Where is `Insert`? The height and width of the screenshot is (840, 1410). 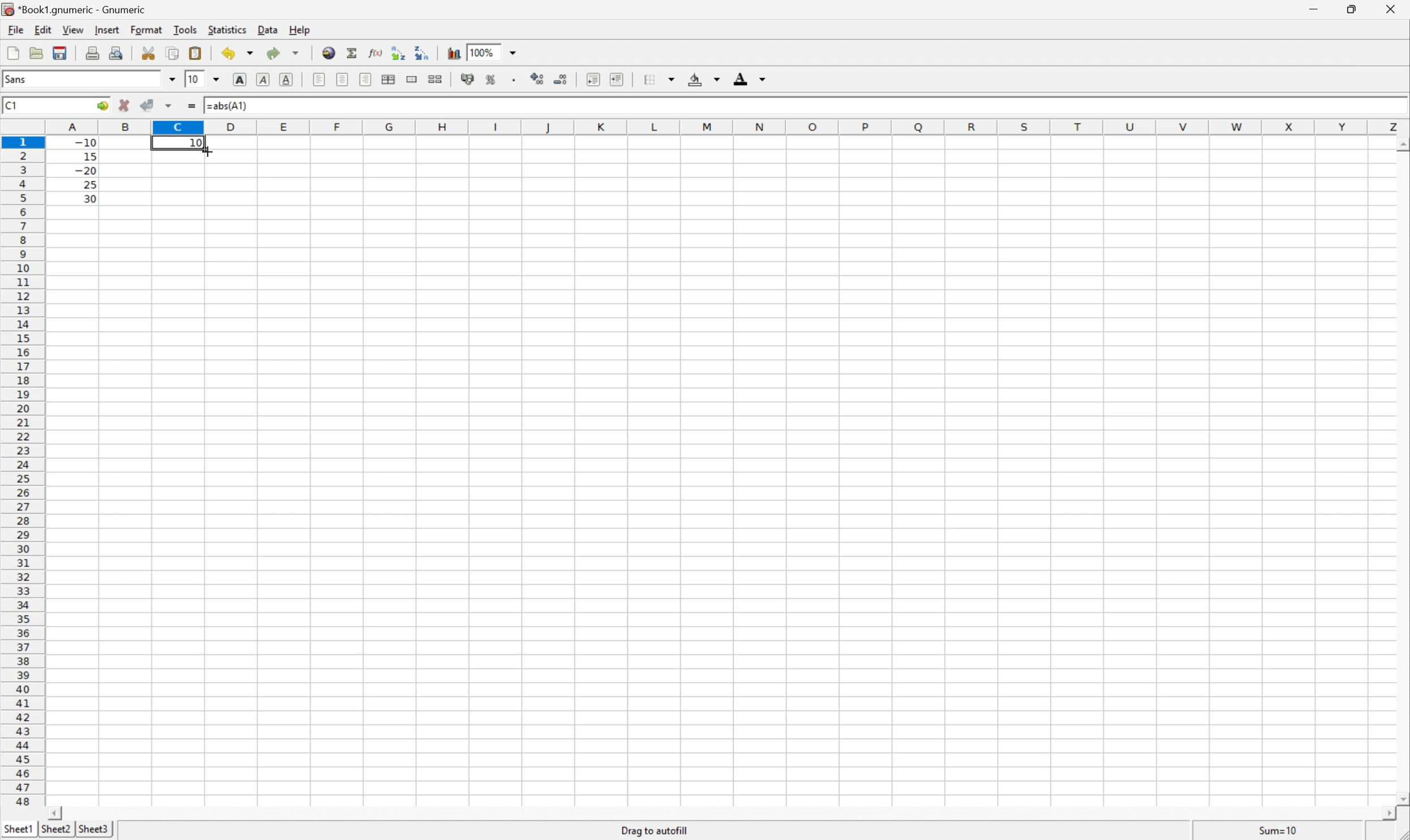
Insert is located at coordinates (108, 30).